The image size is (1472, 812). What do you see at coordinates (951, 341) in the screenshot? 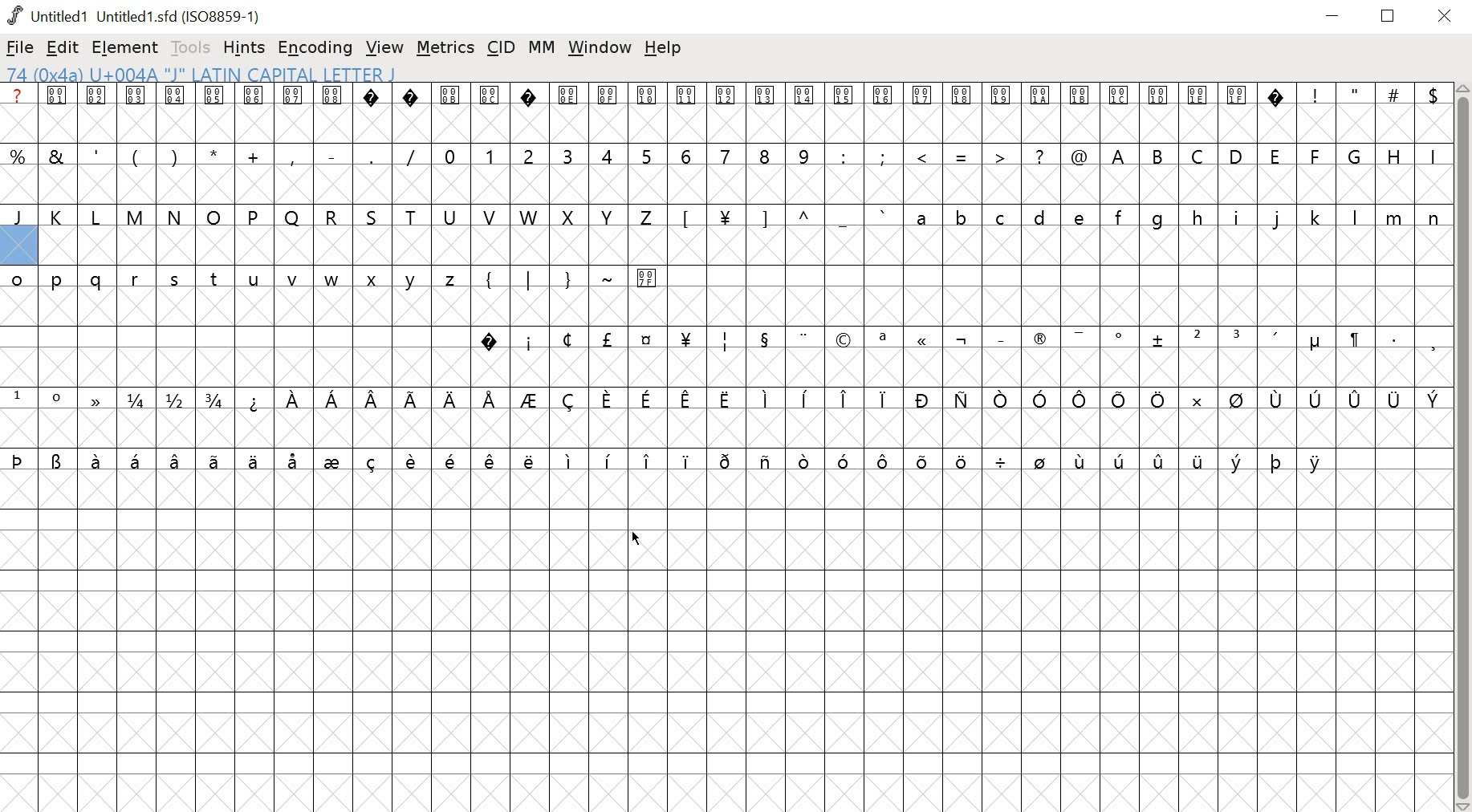
I see `symbols` at bounding box center [951, 341].